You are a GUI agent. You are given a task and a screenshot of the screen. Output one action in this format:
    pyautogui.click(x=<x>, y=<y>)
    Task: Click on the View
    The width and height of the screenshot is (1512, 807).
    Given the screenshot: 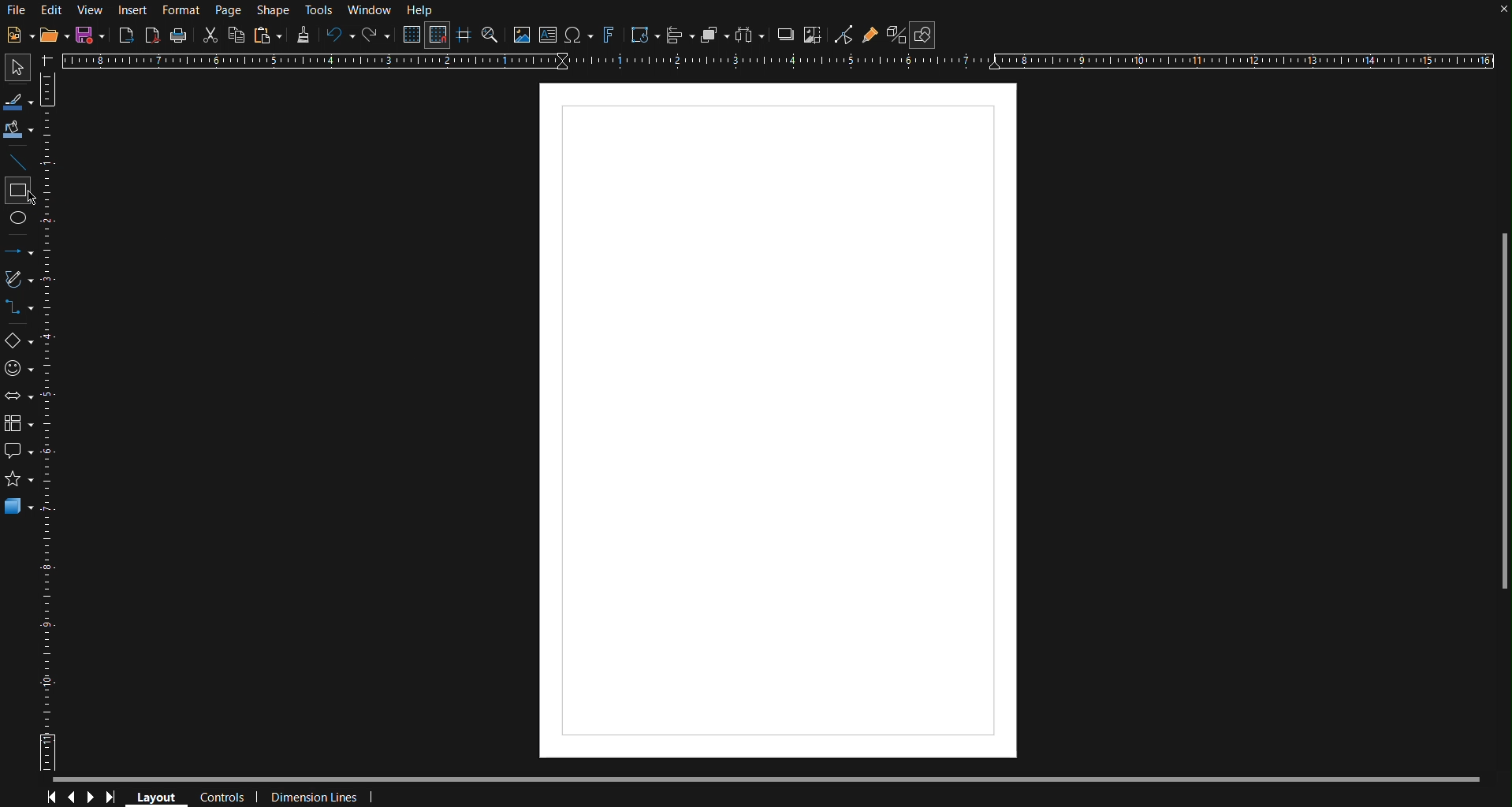 What is the action you would take?
    pyautogui.click(x=89, y=11)
    